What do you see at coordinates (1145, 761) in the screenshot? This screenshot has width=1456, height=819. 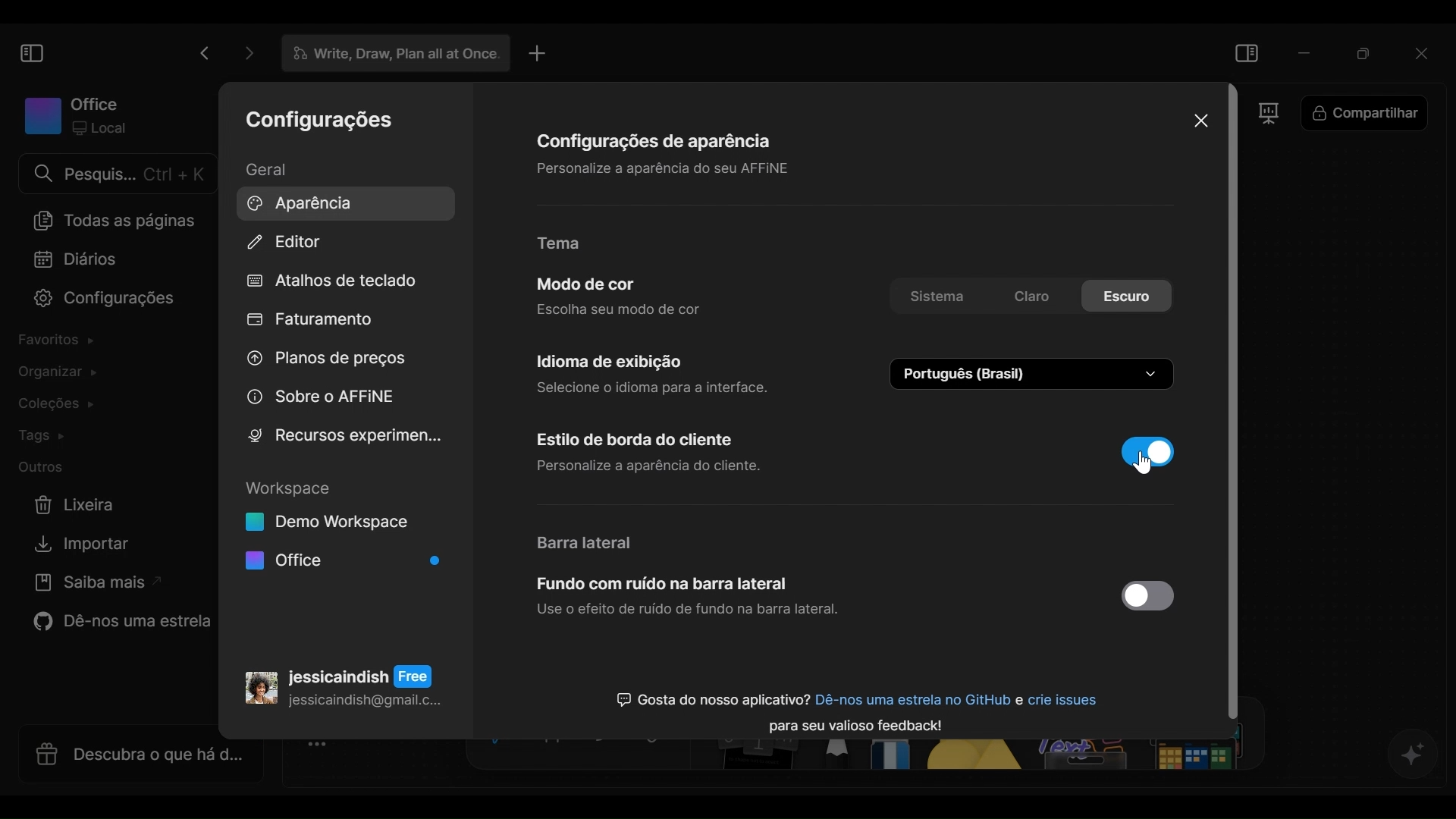 I see `Others` at bounding box center [1145, 761].